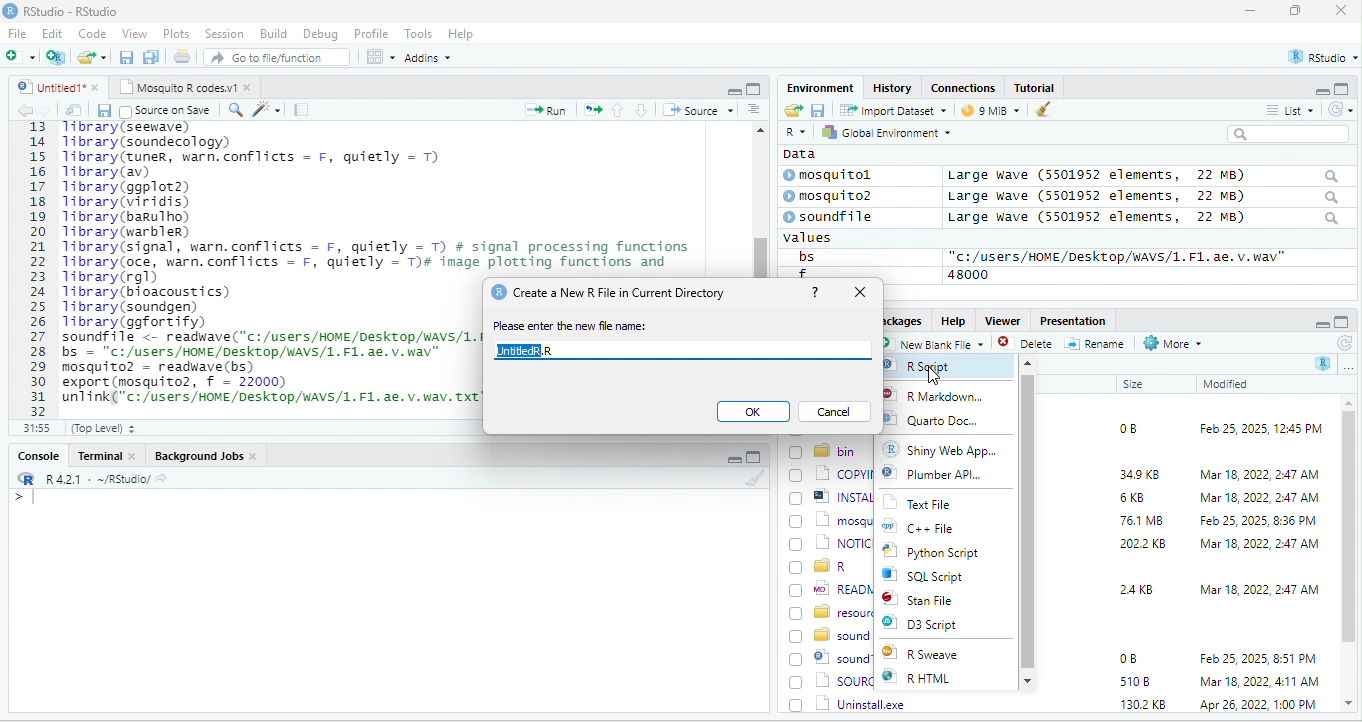 This screenshot has width=1362, height=722. What do you see at coordinates (542, 110) in the screenshot?
I see `Run` at bounding box center [542, 110].